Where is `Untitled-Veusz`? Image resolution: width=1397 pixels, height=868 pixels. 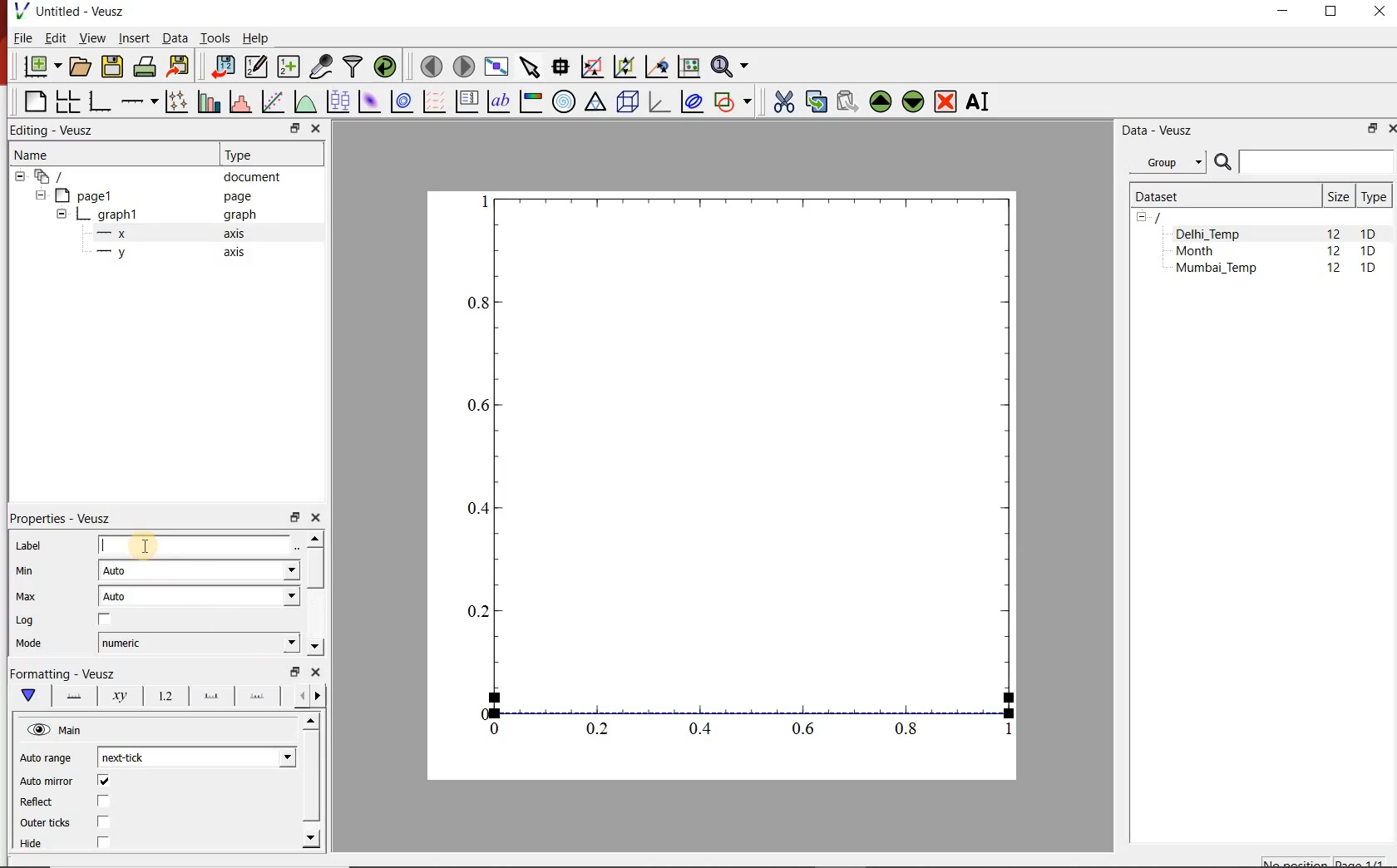 Untitled-Veusz is located at coordinates (74, 11).